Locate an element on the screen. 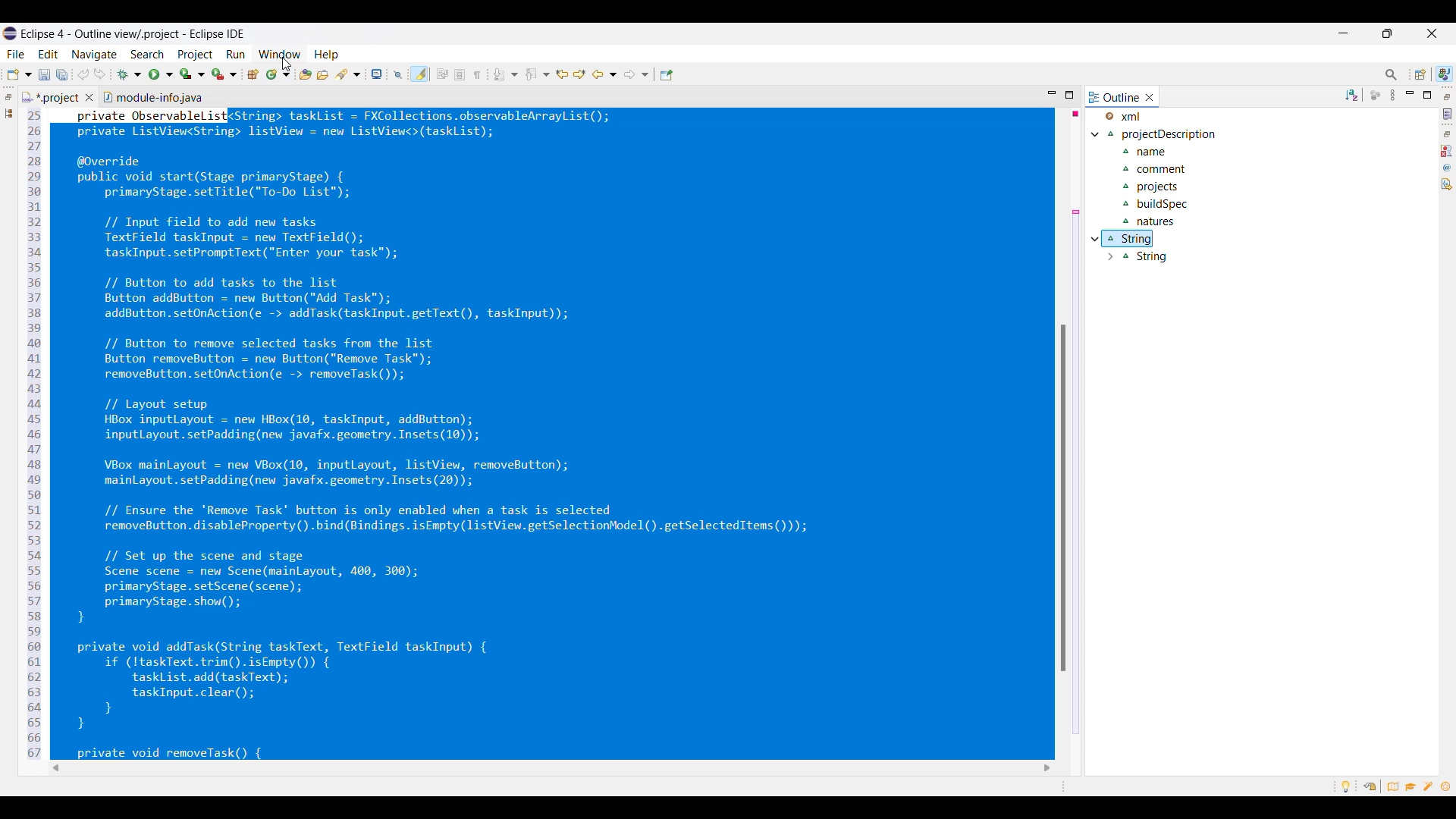 This screenshot has width=1456, height=819. Current perspective, highlighted is located at coordinates (1445, 74).